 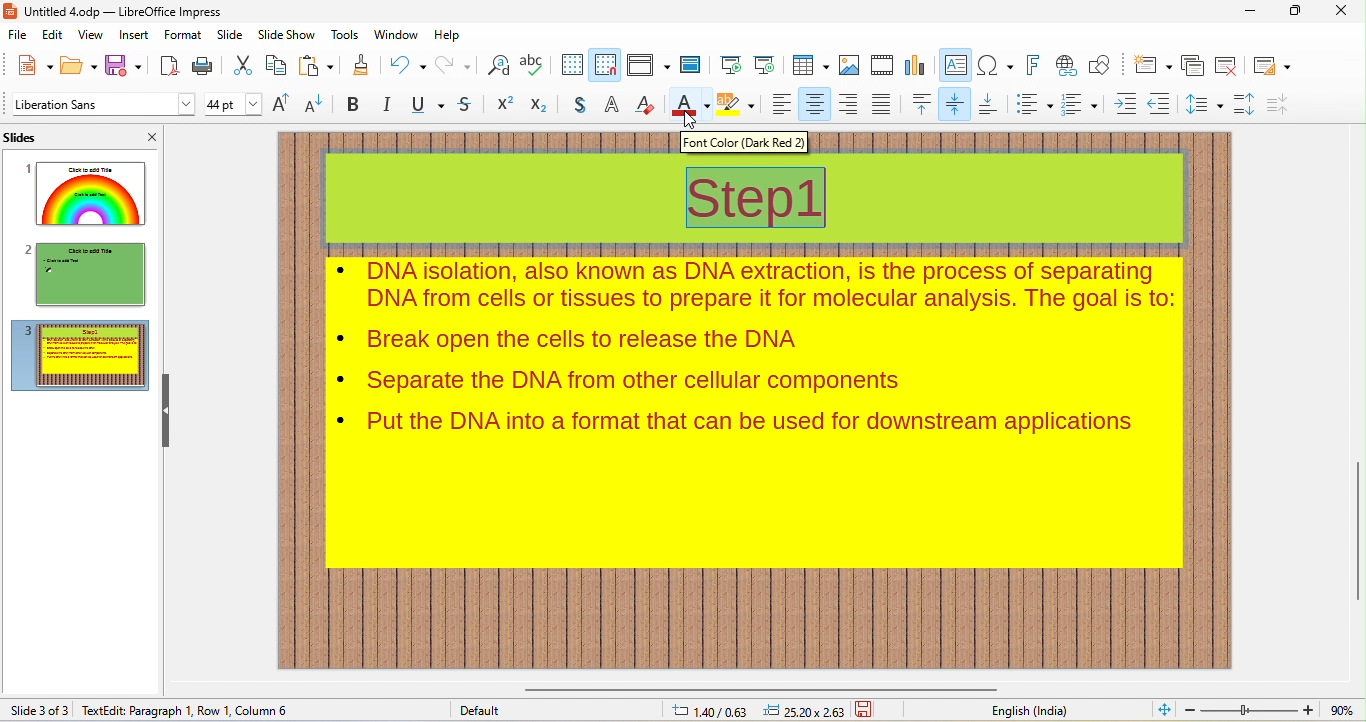 What do you see at coordinates (1228, 66) in the screenshot?
I see `remove` at bounding box center [1228, 66].